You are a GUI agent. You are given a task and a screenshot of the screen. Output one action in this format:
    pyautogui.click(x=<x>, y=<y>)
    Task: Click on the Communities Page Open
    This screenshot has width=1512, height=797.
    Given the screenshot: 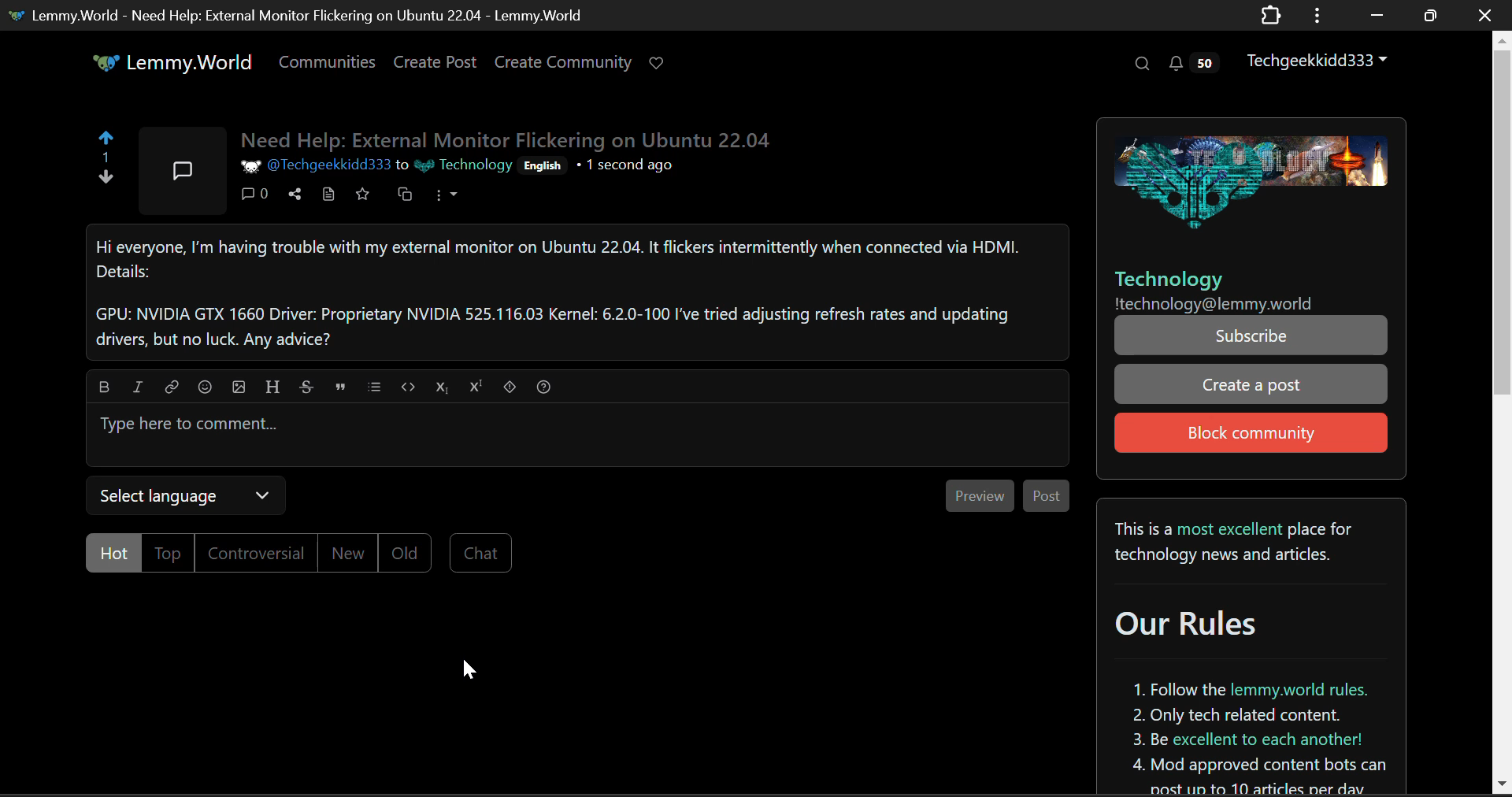 What is the action you would take?
    pyautogui.click(x=329, y=61)
    